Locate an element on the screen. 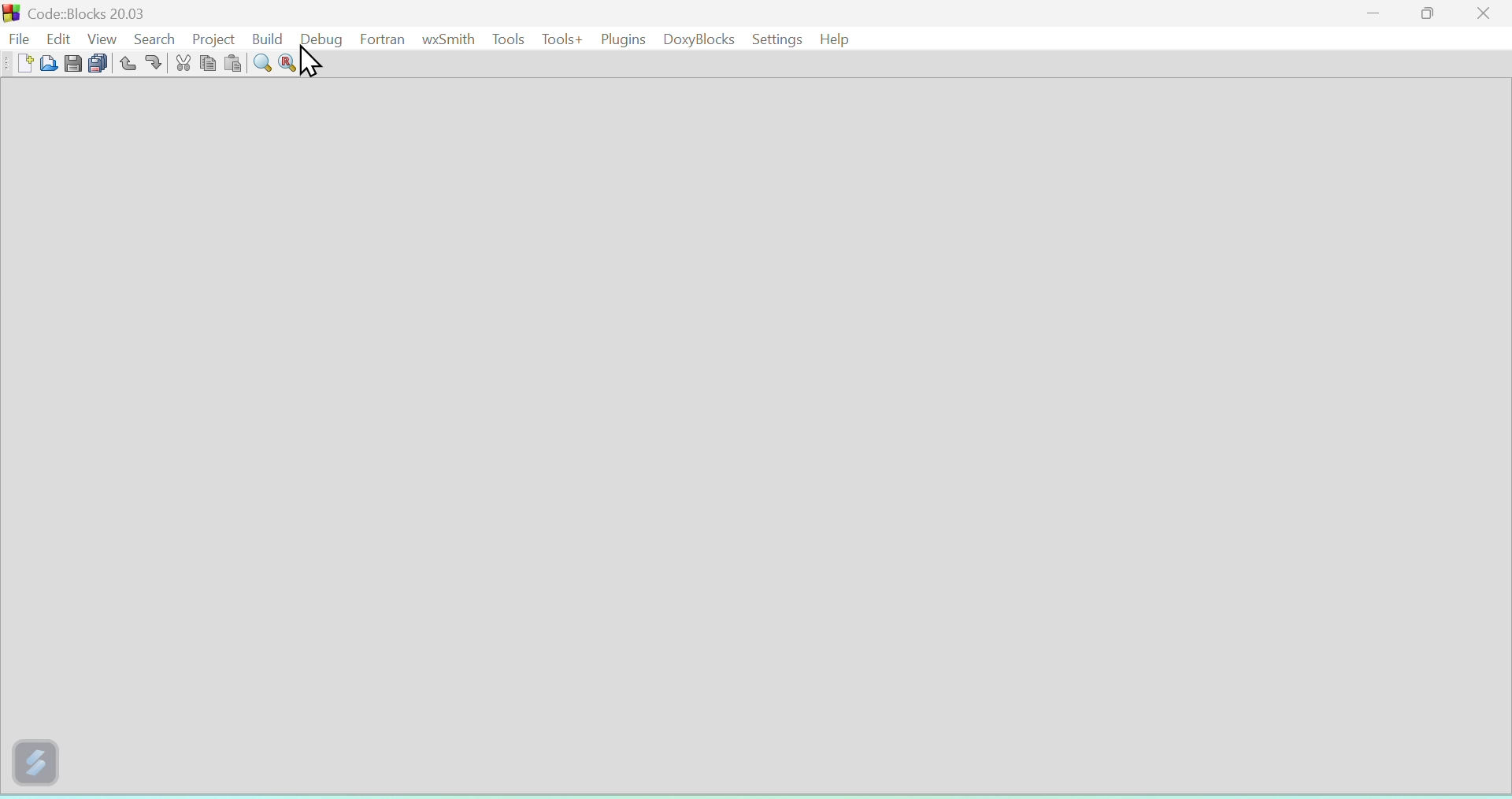 The width and height of the screenshot is (1512, 799). DoxyBlocks is located at coordinates (695, 39).